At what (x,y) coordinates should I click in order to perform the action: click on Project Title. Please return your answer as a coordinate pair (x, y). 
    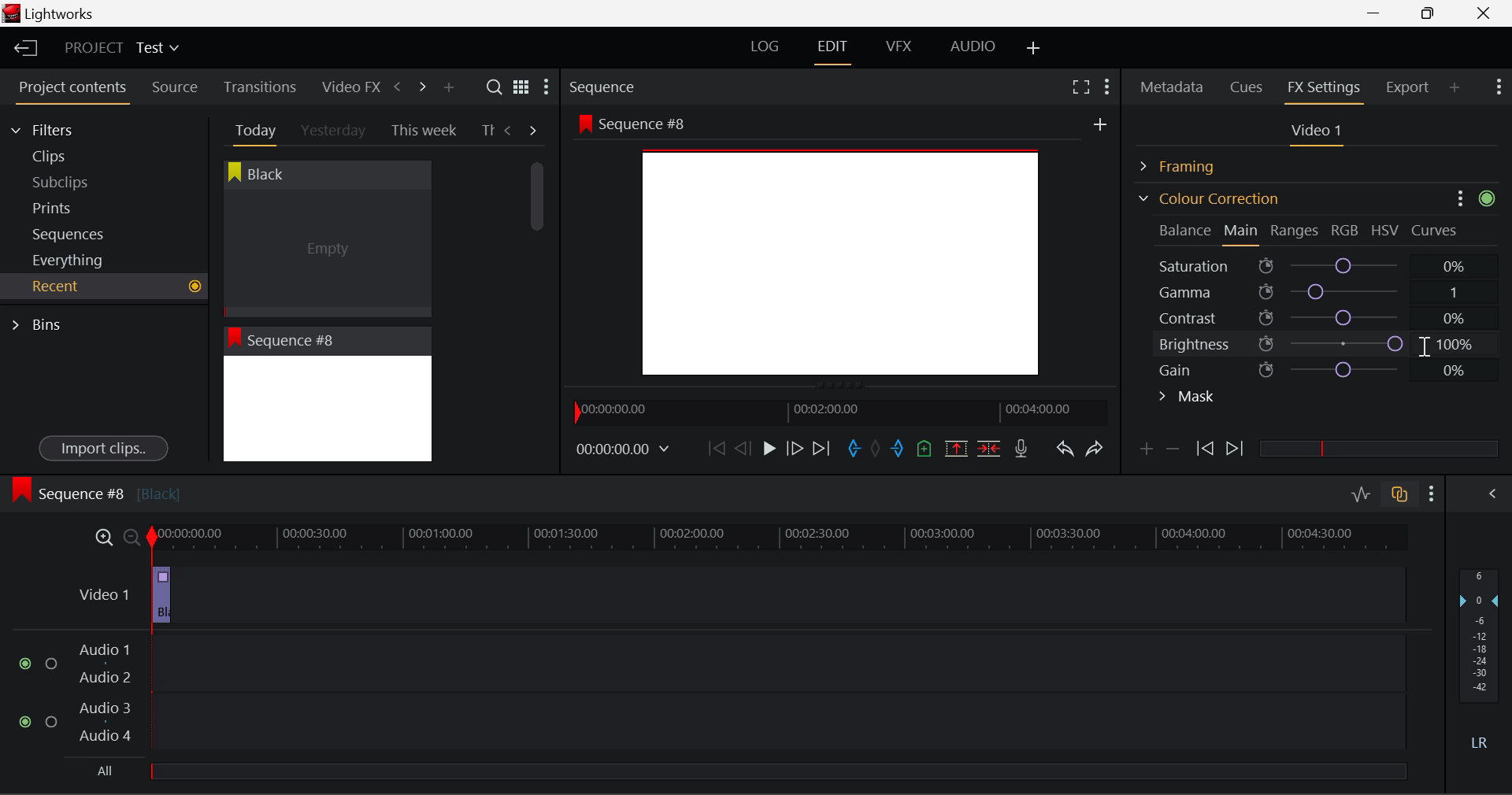
    Looking at the image, I should click on (122, 49).